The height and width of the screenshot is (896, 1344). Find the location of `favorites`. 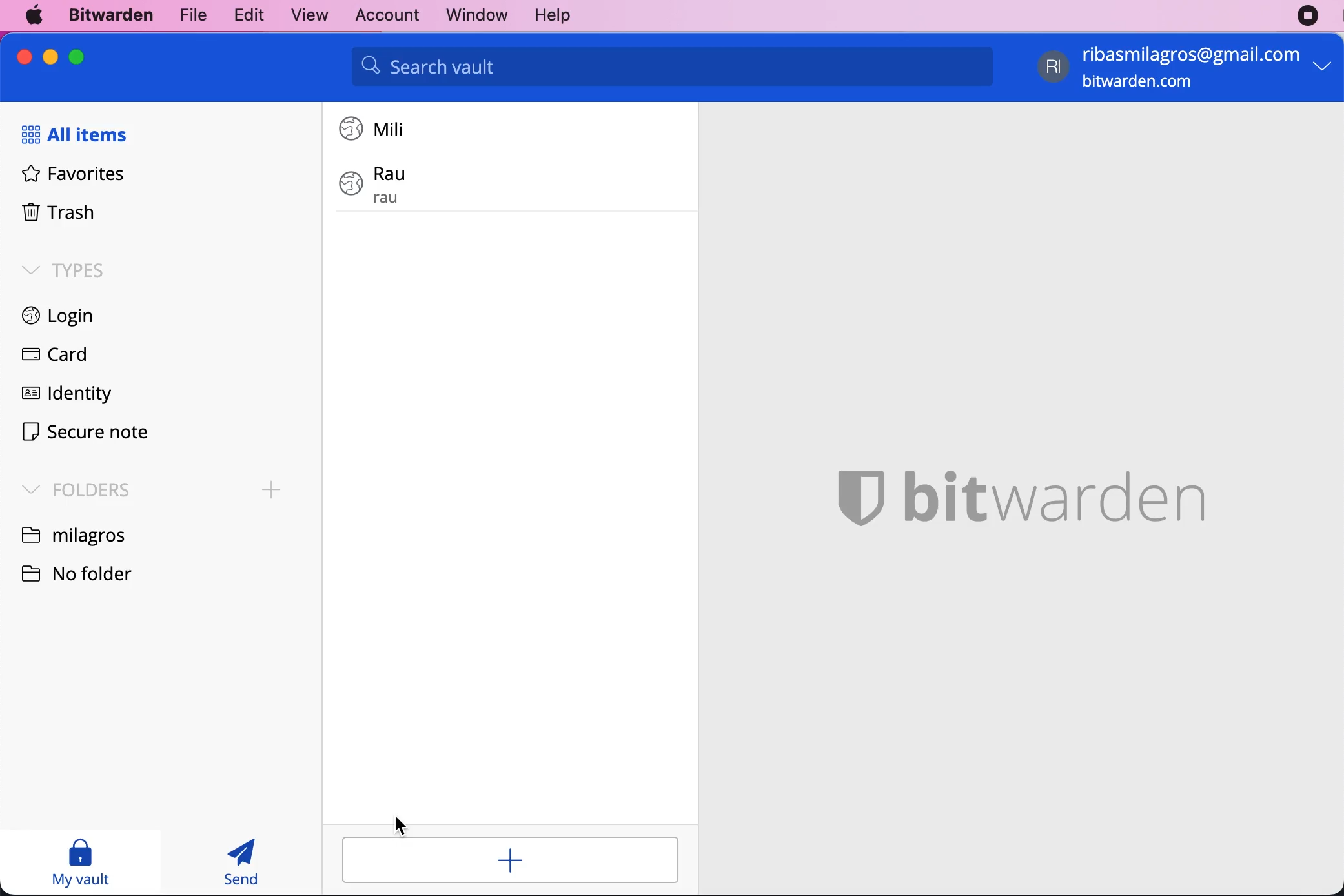

favorites is located at coordinates (67, 178).